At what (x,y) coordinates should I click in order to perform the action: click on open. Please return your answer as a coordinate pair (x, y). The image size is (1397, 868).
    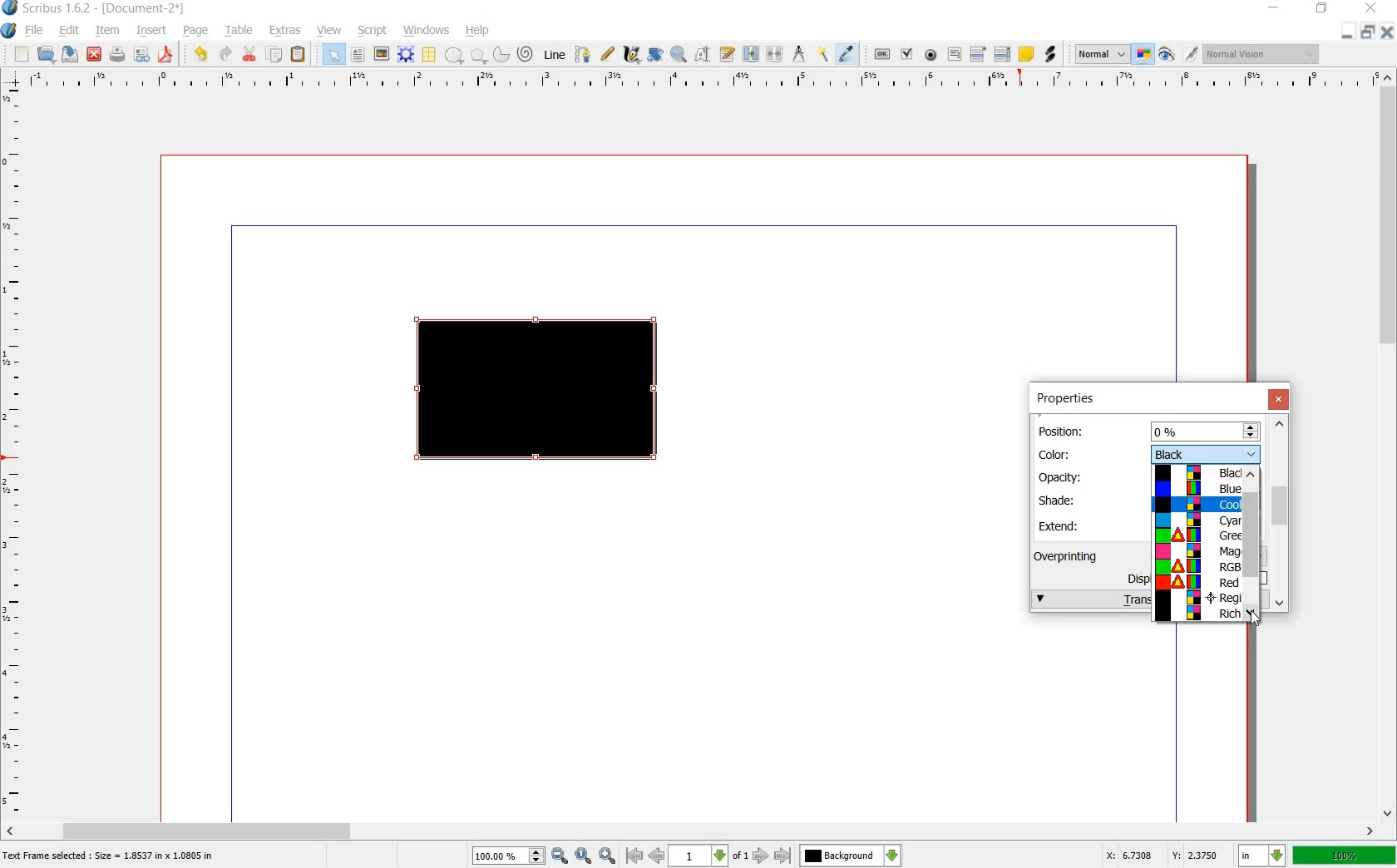
    Looking at the image, I should click on (48, 55).